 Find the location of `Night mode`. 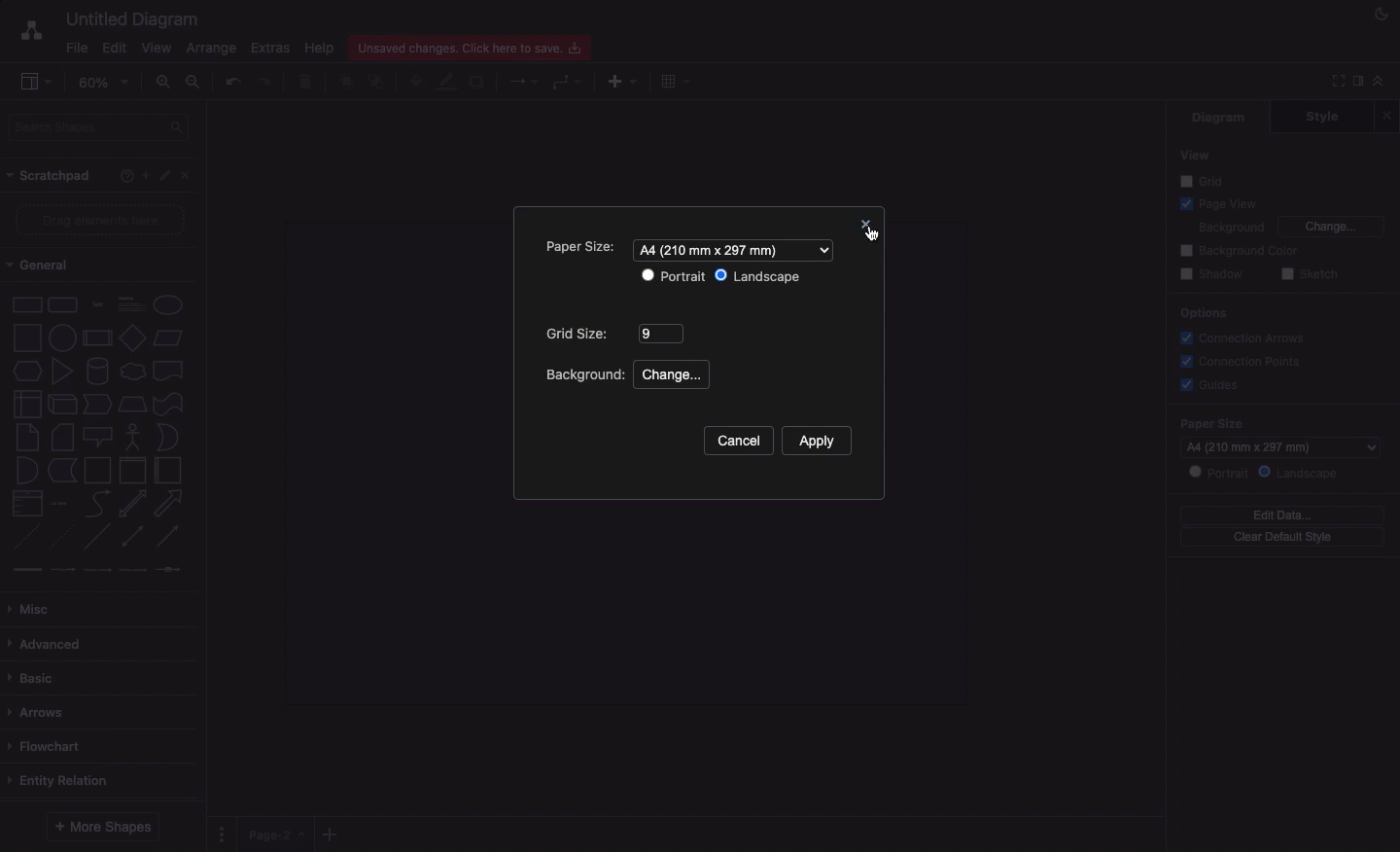

Night mode is located at coordinates (1382, 15).